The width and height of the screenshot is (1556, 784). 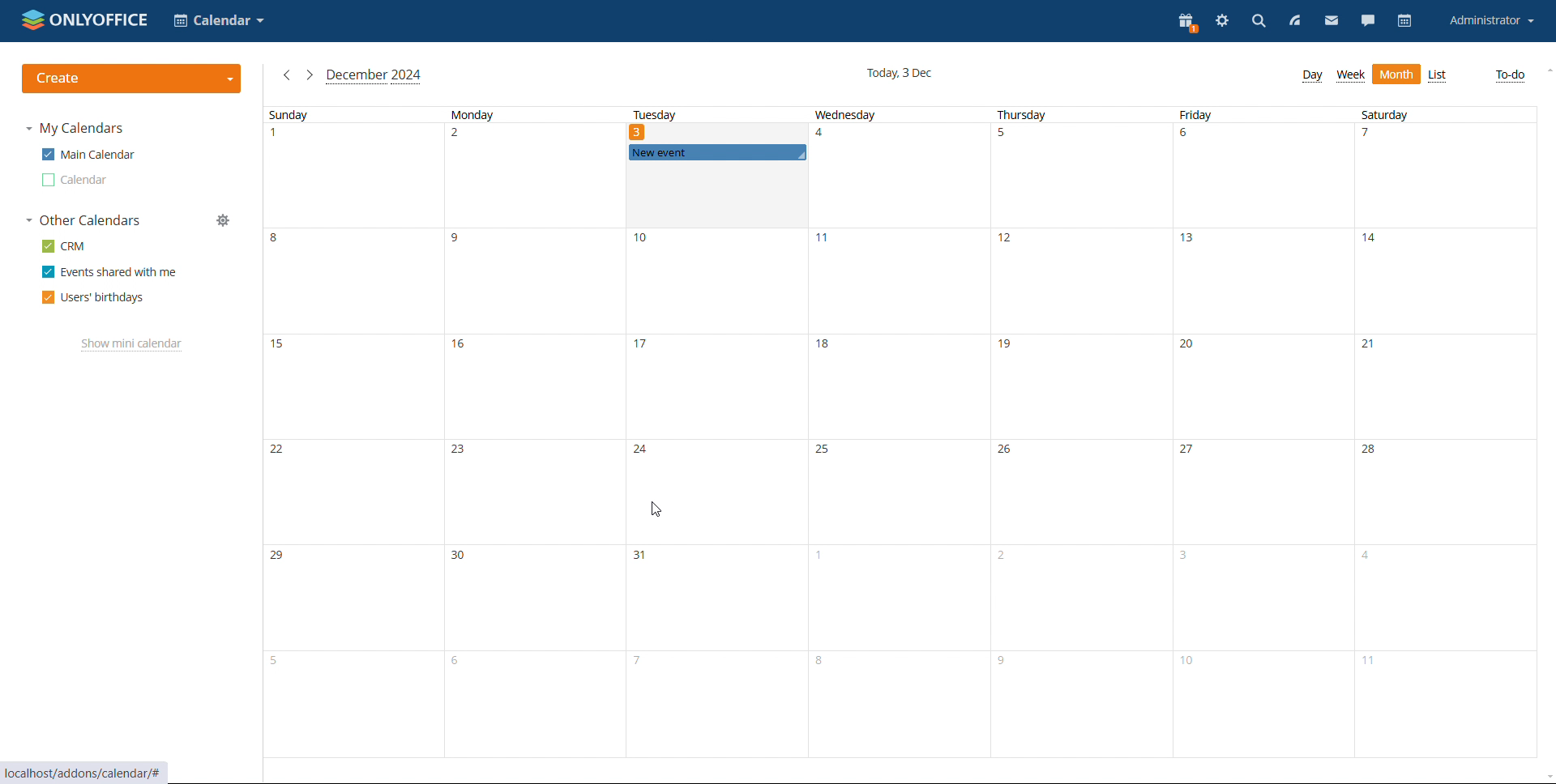 What do you see at coordinates (1446, 279) in the screenshot?
I see `date` at bounding box center [1446, 279].